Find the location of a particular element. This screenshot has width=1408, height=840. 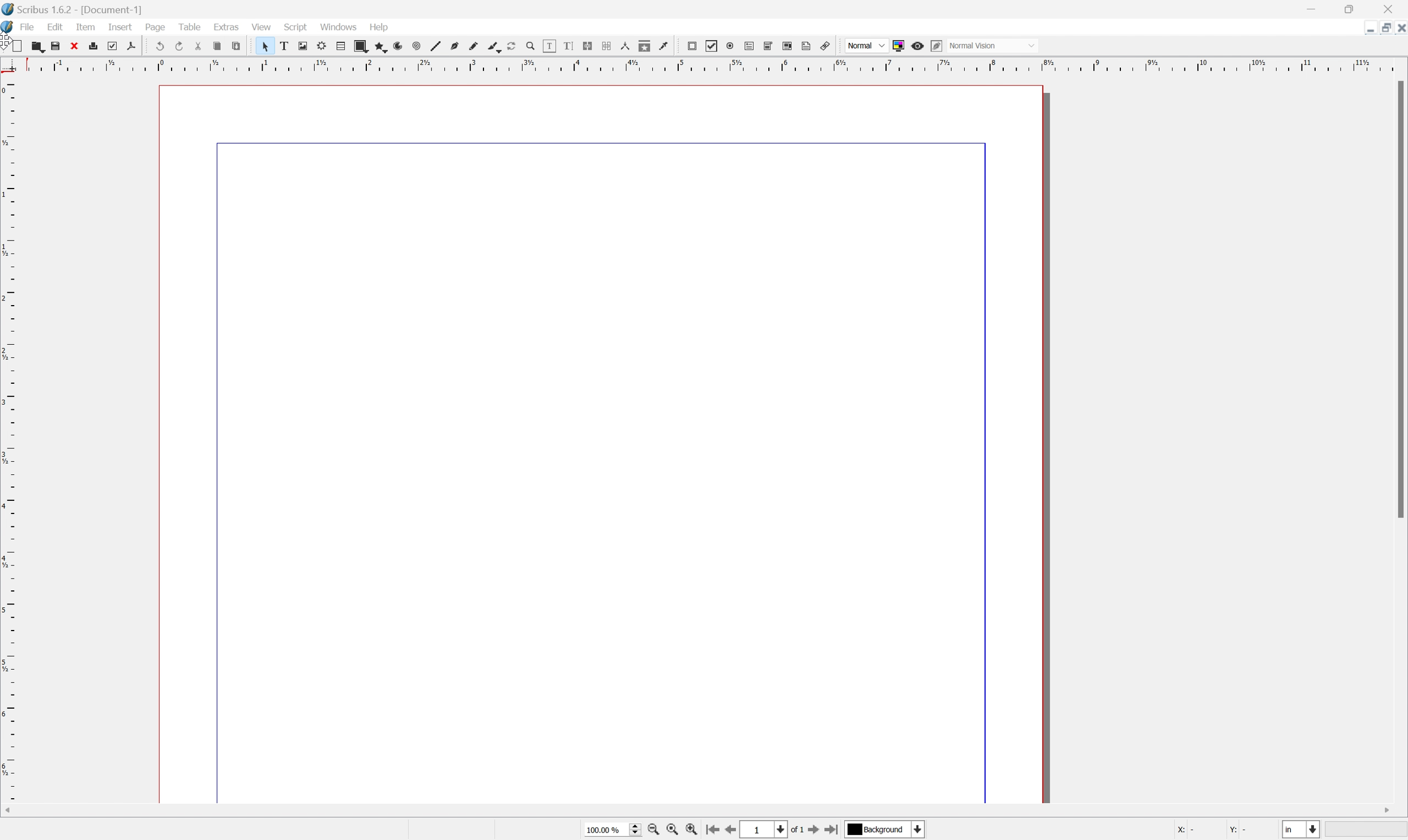

restore down is located at coordinates (1351, 8).